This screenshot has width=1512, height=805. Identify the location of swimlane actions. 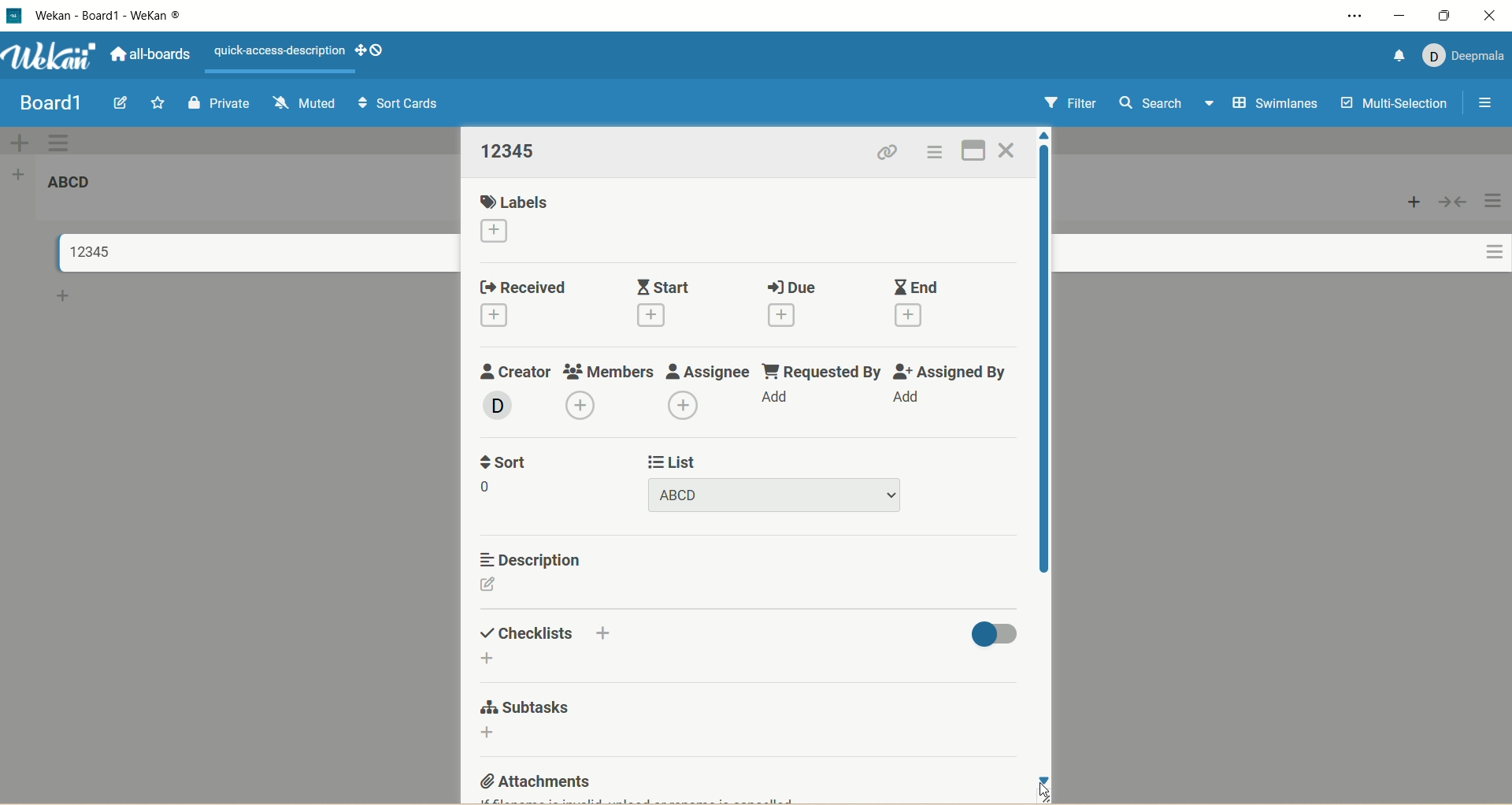
(60, 143).